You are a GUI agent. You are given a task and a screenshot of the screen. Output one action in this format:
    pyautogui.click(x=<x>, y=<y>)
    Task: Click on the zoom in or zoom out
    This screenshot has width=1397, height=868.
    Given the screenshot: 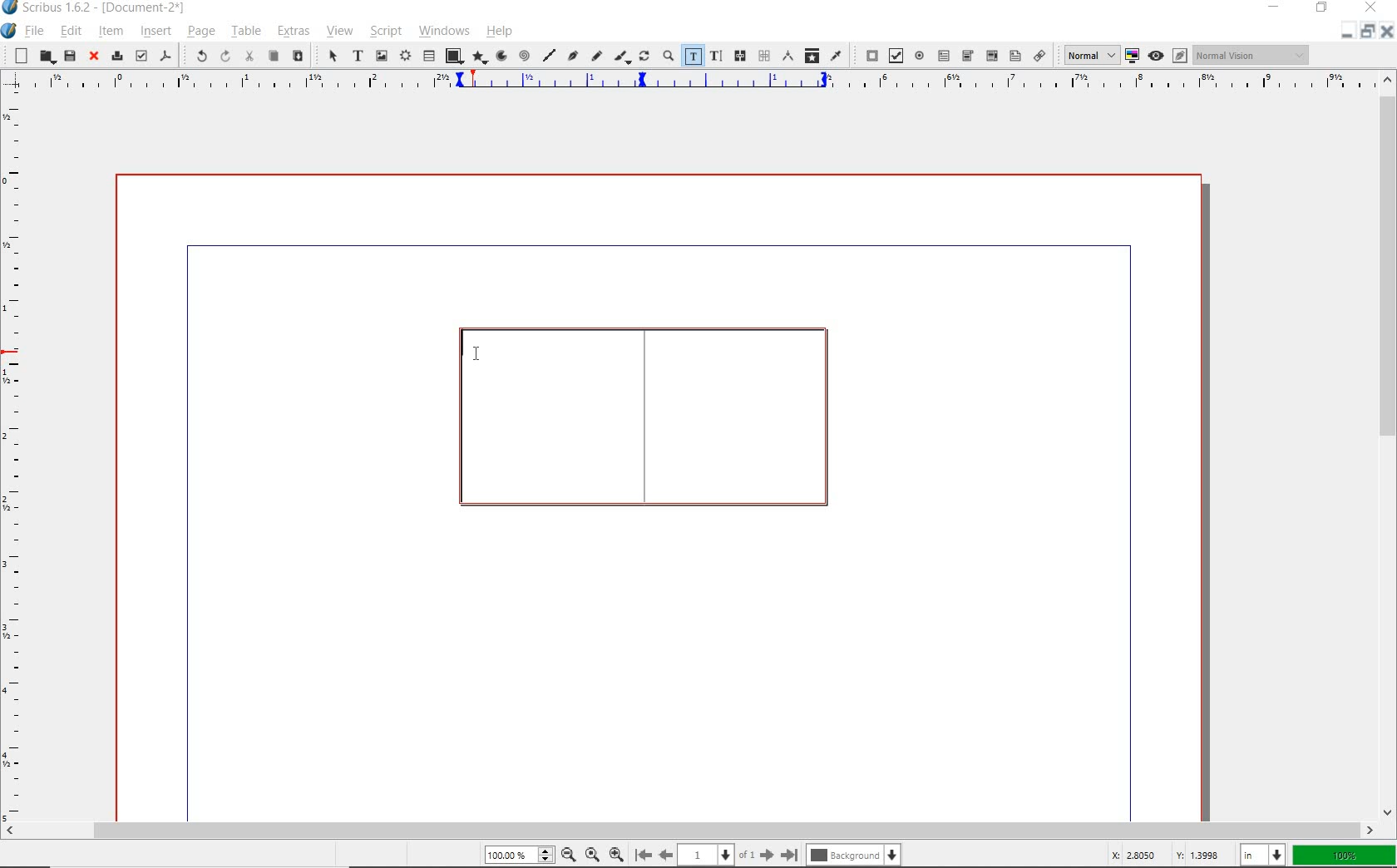 What is the action you would take?
    pyautogui.click(x=667, y=56)
    